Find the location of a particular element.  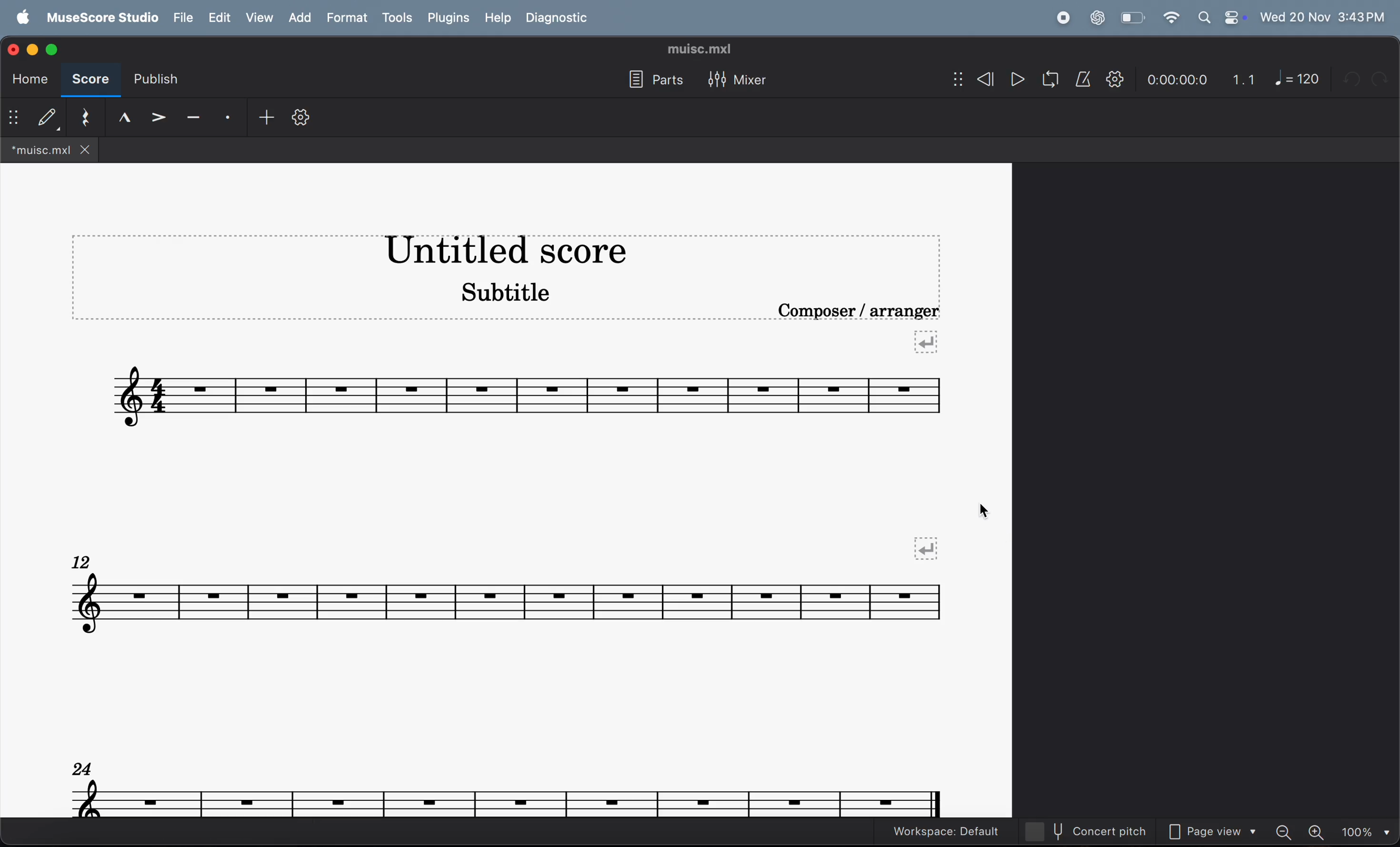

page view is located at coordinates (1208, 832).